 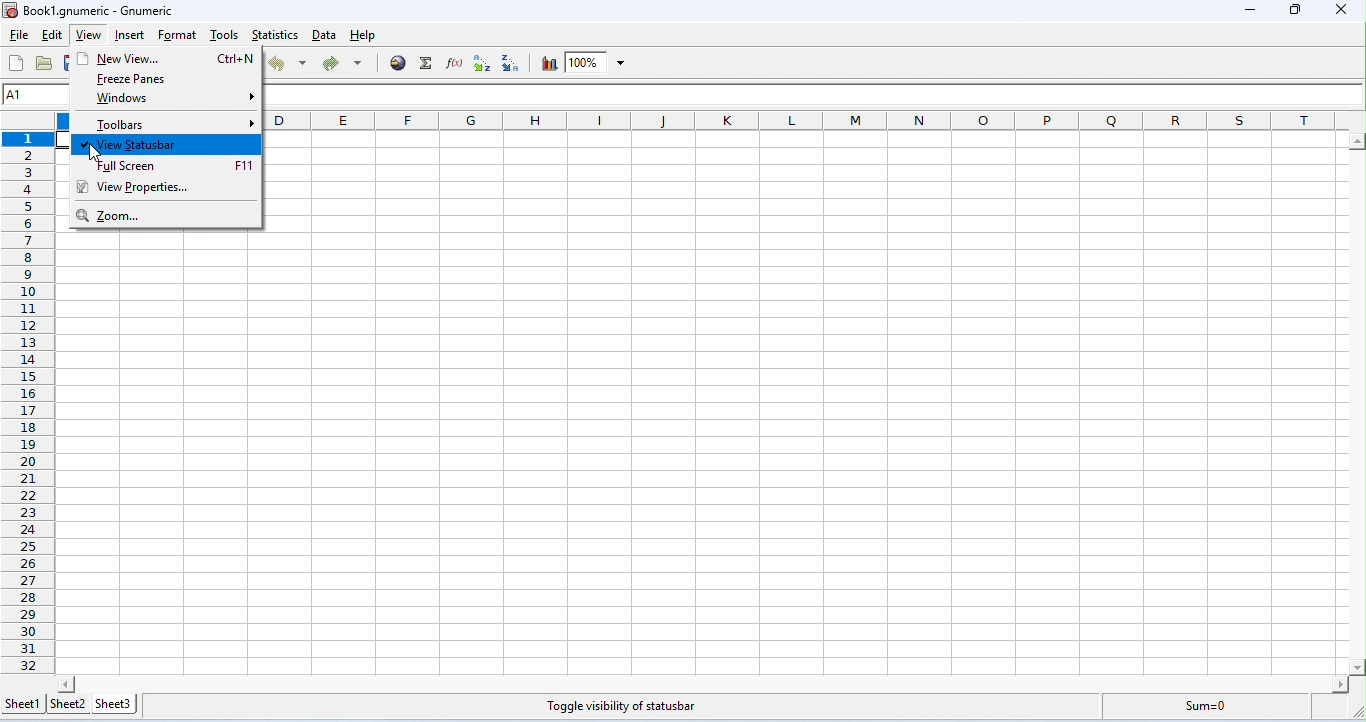 What do you see at coordinates (511, 63) in the screenshot?
I see `sort descending` at bounding box center [511, 63].